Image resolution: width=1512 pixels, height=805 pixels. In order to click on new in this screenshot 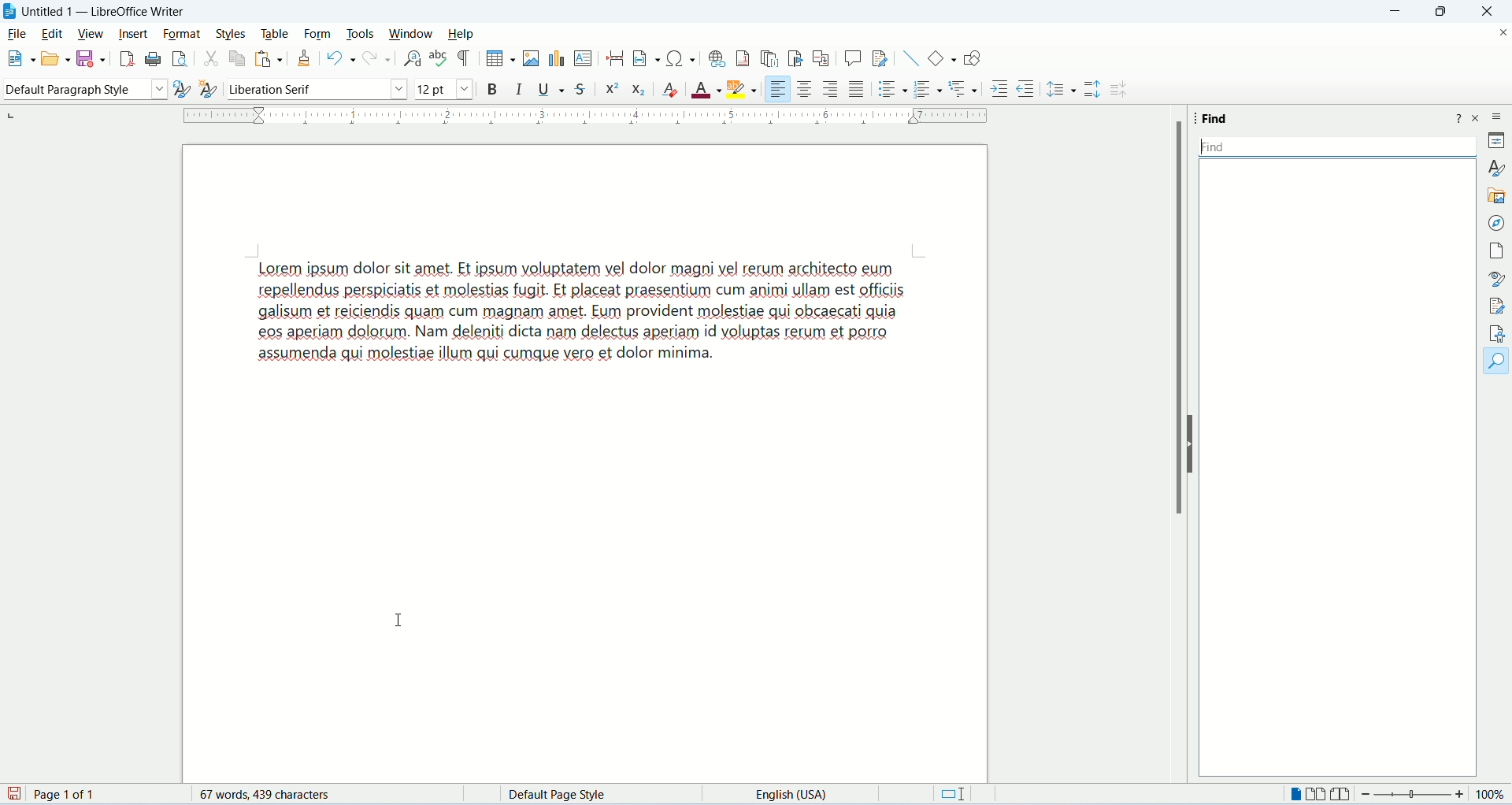, I will do `click(15, 59)`.